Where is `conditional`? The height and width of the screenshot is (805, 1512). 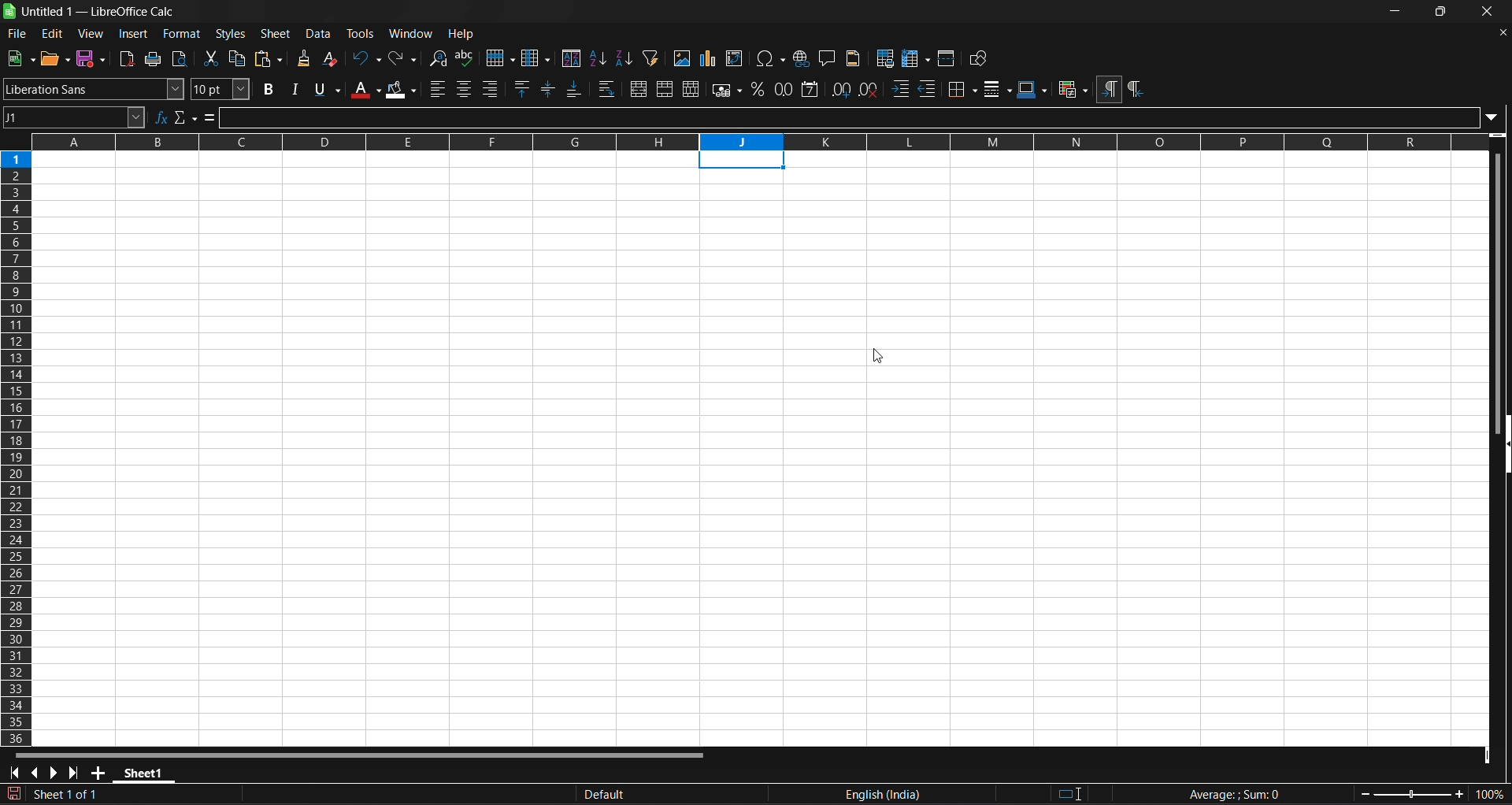
conditional is located at coordinates (1073, 90).